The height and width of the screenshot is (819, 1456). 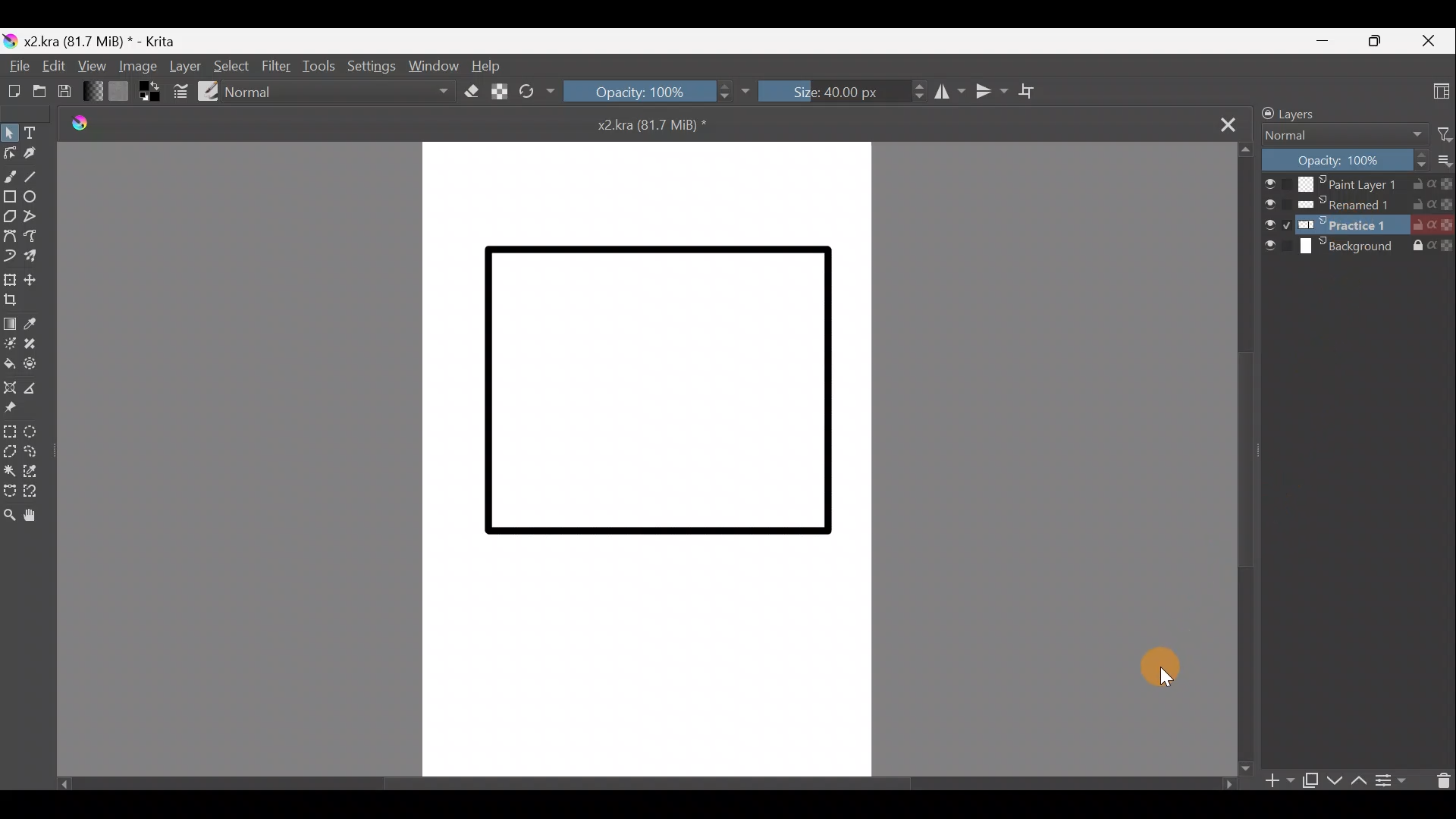 What do you see at coordinates (1341, 136) in the screenshot?
I see `Normal Blending mode` at bounding box center [1341, 136].